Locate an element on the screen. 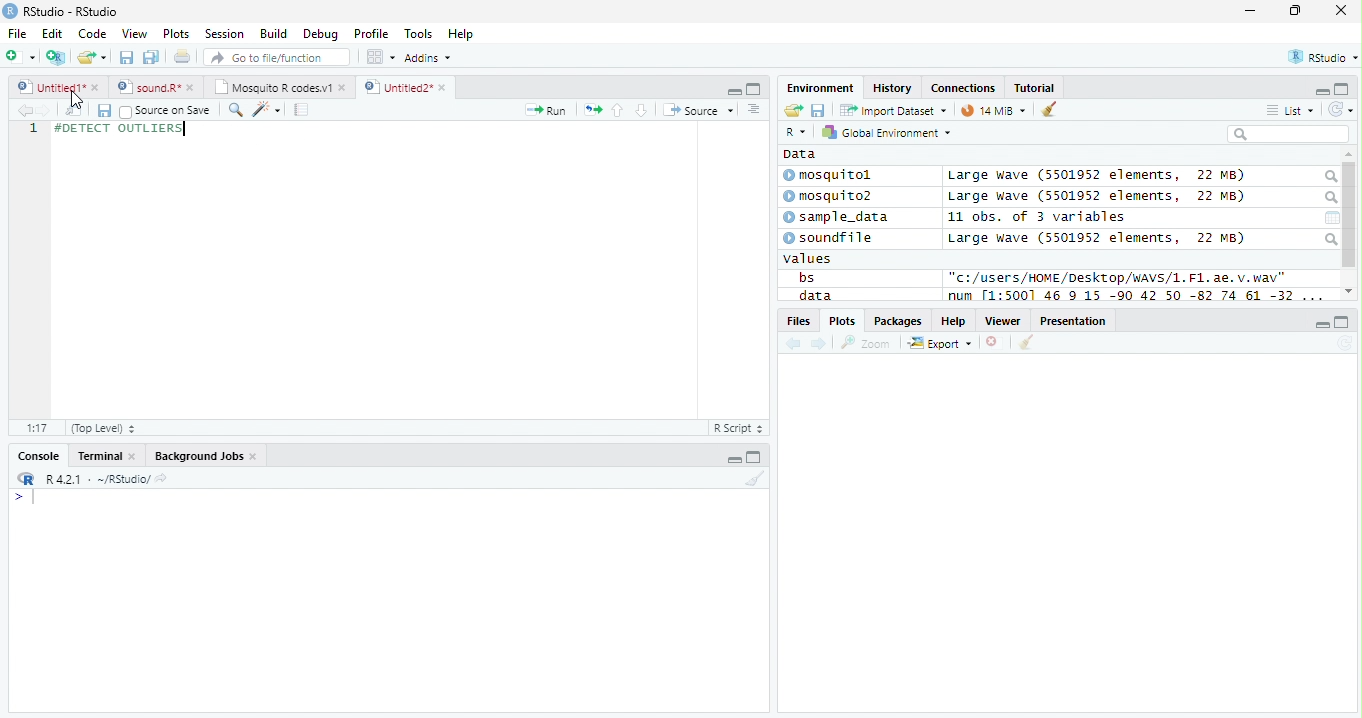 Image resolution: width=1362 pixels, height=718 pixels. new file is located at coordinates (21, 57).